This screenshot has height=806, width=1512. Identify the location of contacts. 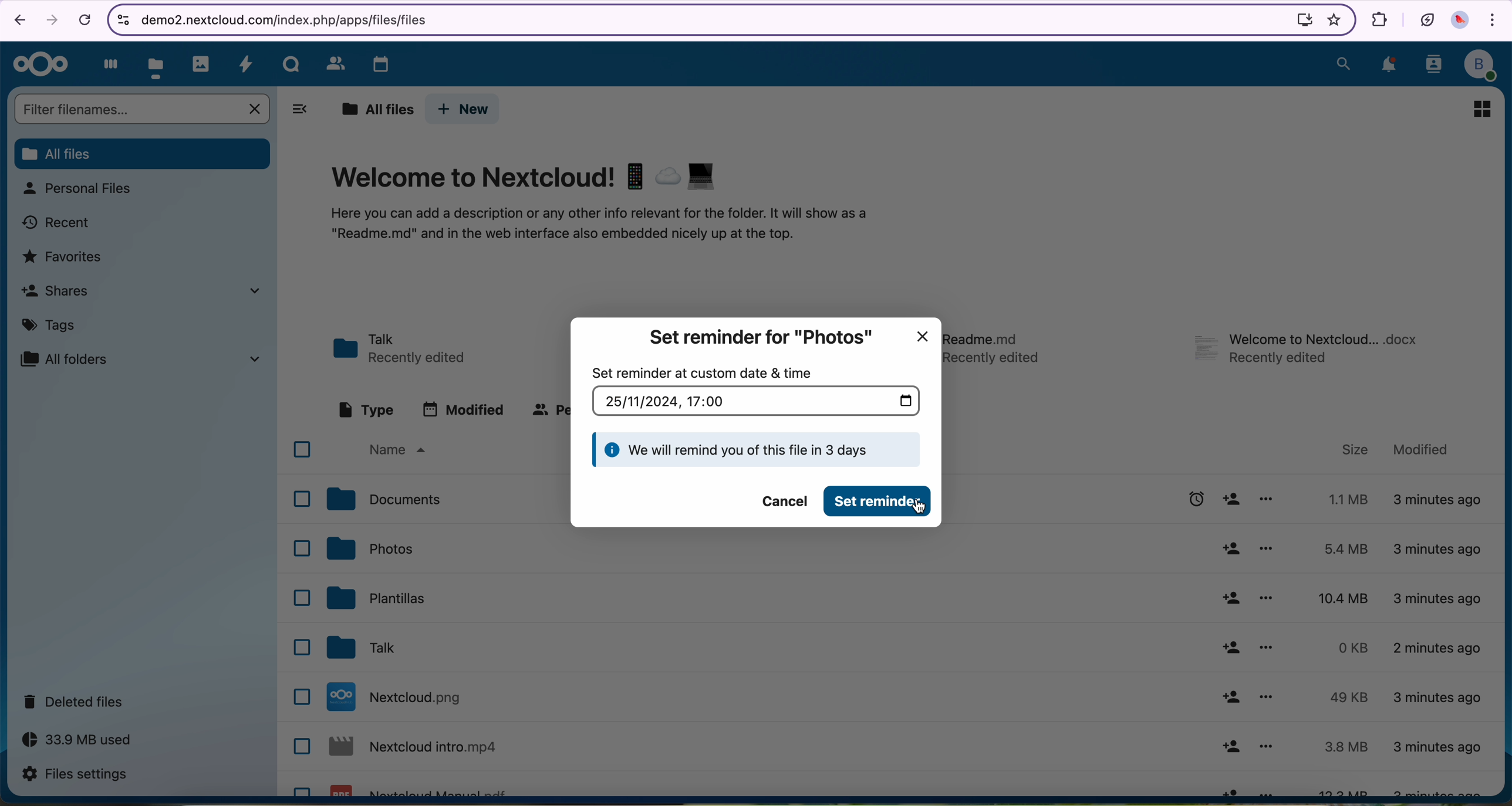
(1432, 66).